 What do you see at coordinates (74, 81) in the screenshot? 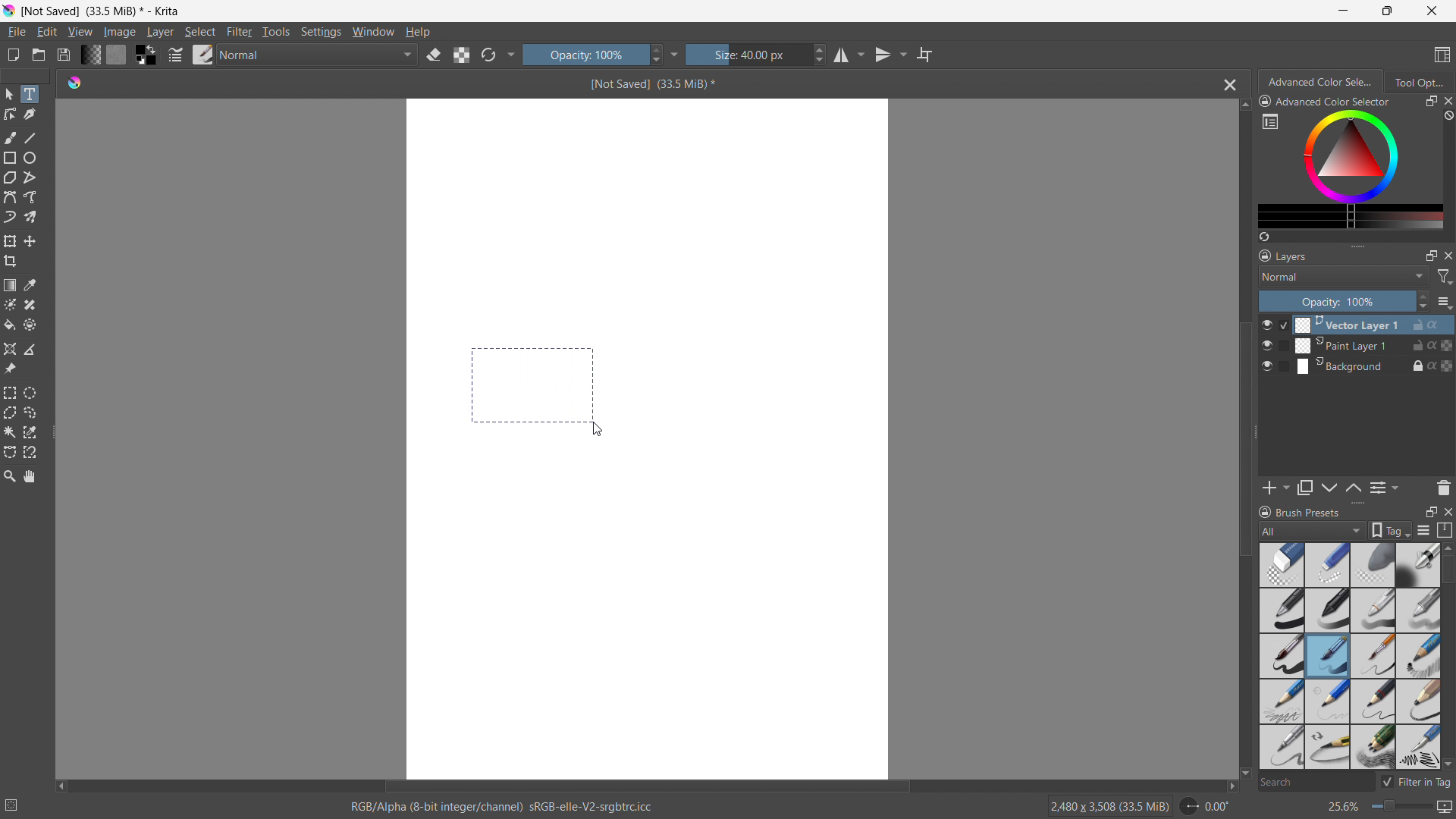
I see `logo` at bounding box center [74, 81].